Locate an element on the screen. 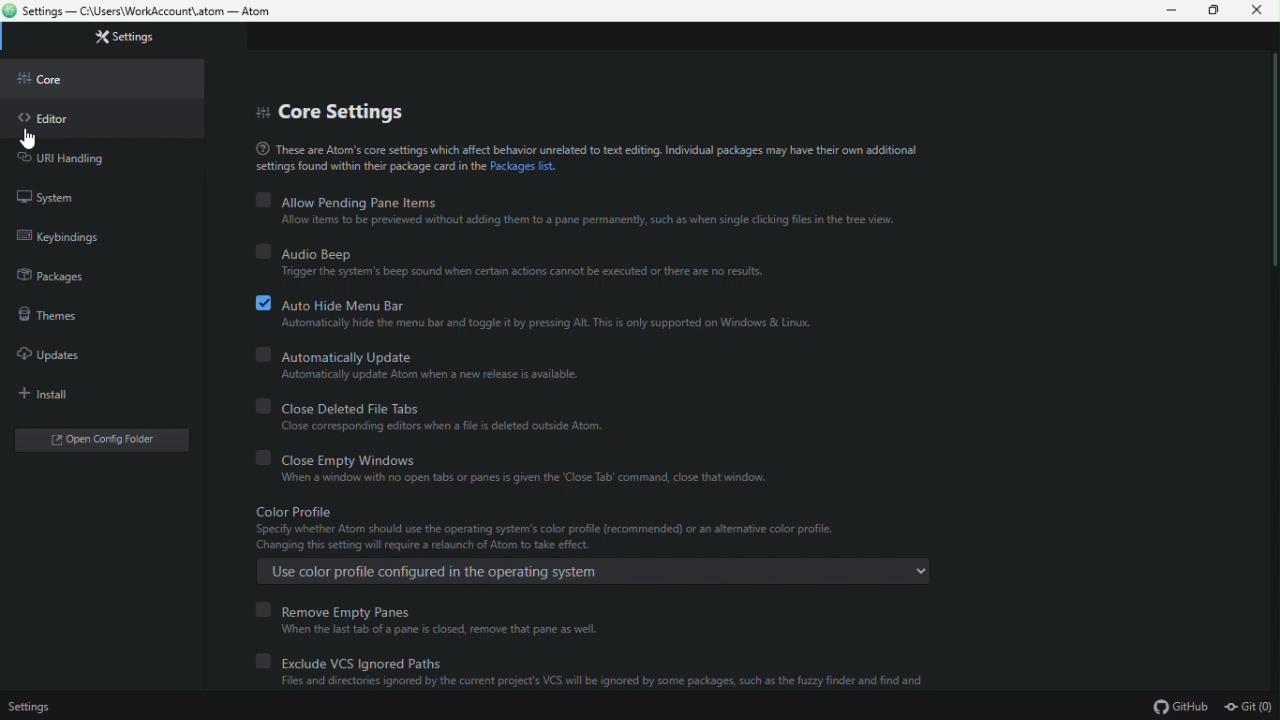 The height and width of the screenshot is (720, 1280). Automatically update Atom when a new release is available. is located at coordinates (430, 376).